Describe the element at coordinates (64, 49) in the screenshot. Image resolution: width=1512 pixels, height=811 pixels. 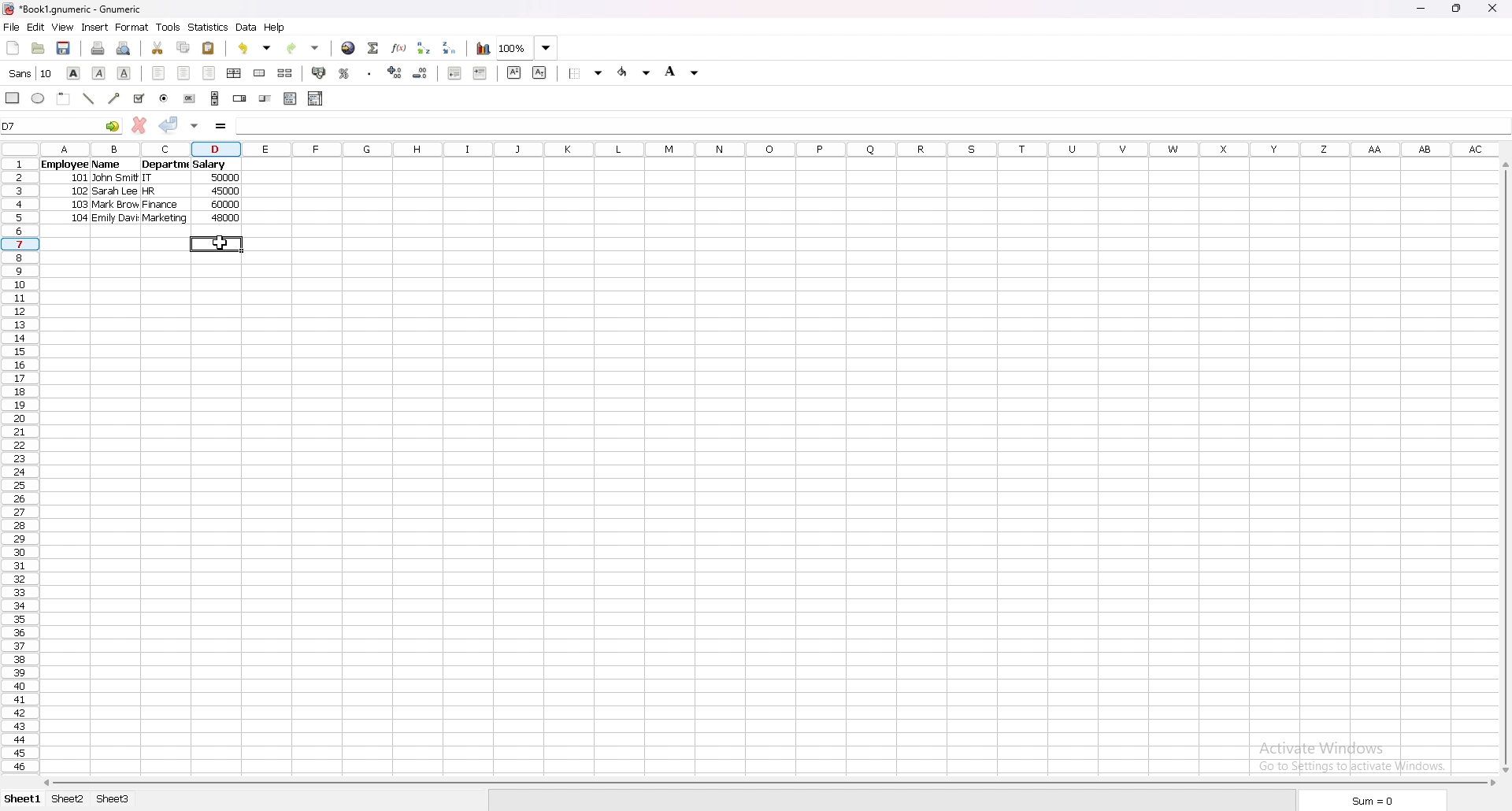
I see `save` at that location.